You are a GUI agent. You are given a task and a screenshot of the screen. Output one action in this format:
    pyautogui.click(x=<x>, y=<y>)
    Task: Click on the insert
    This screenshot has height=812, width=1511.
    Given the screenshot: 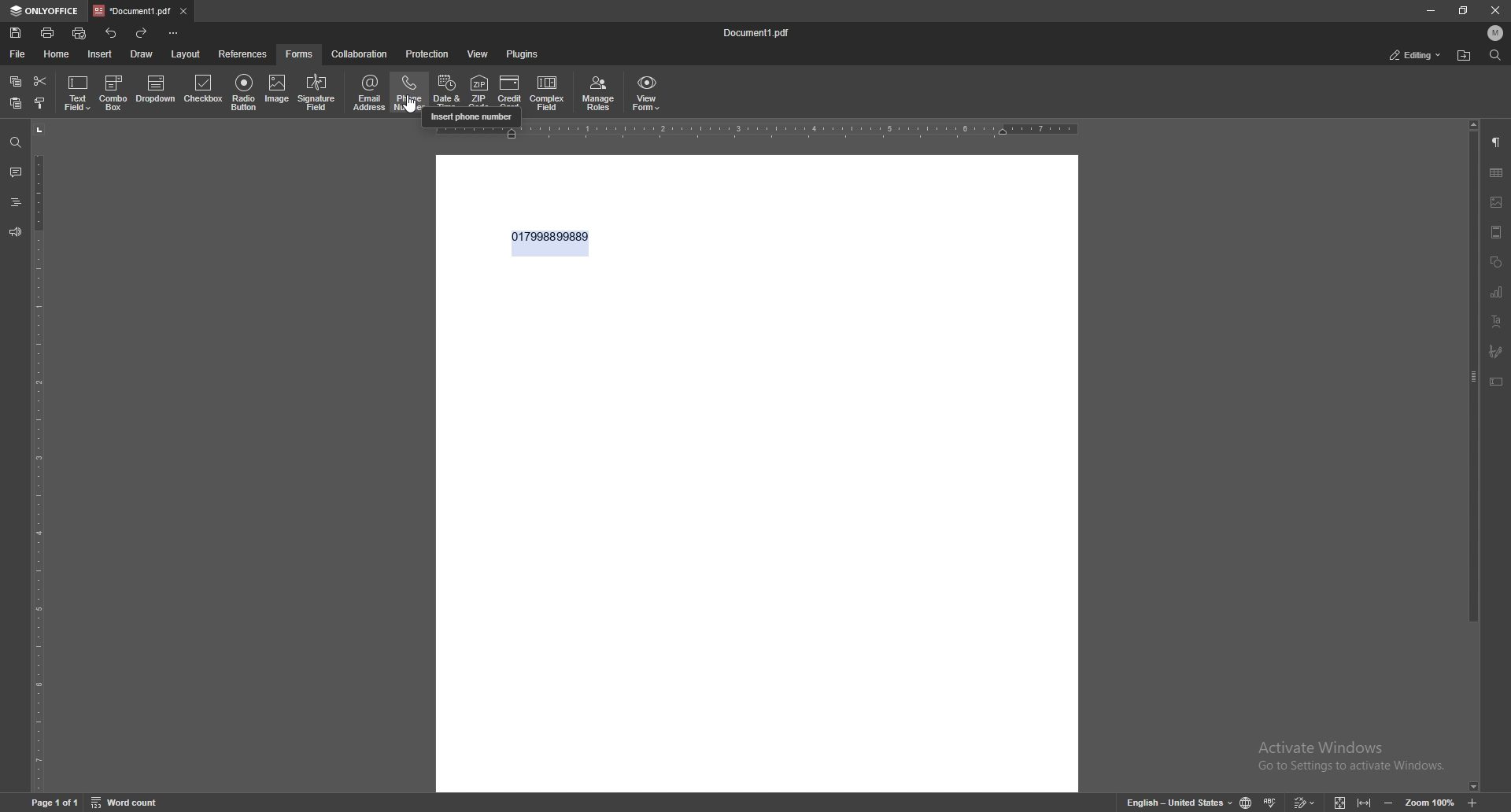 What is the action you would take?
    pyautogui.click(x=101, y=54)
    